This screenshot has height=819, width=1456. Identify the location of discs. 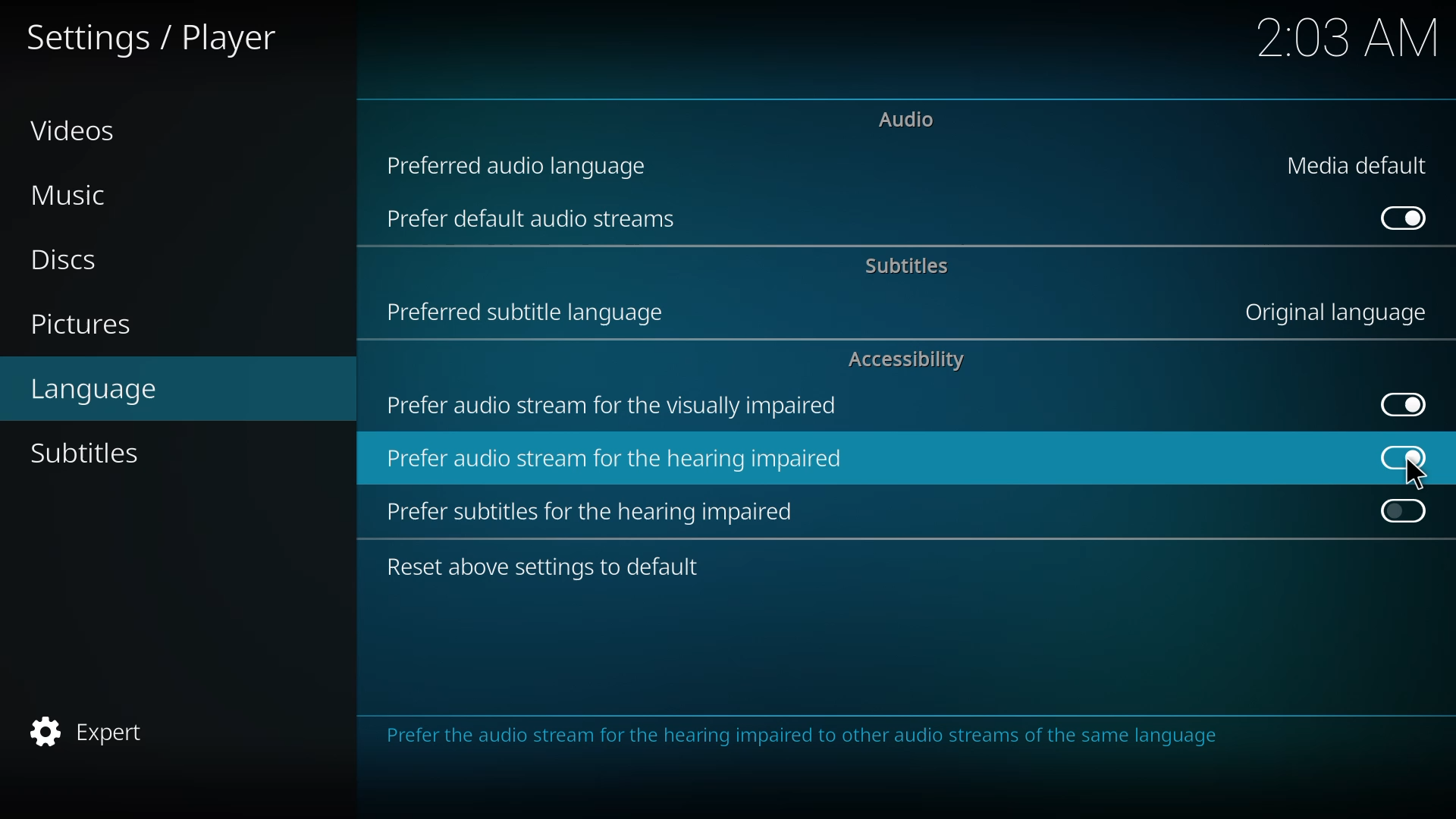
(62, 257).